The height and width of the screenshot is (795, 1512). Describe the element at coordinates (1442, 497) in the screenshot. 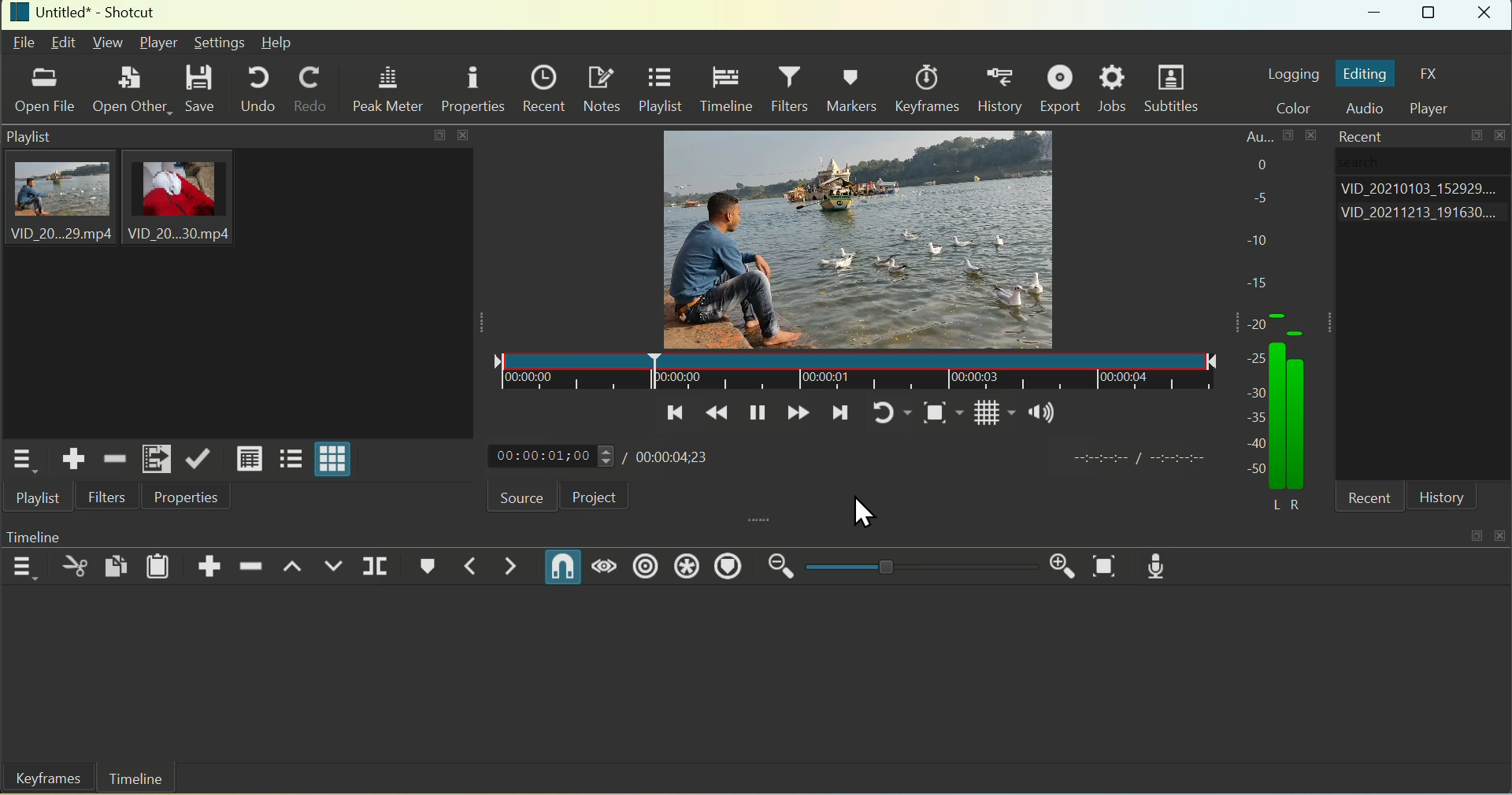

I see `History` at that location.